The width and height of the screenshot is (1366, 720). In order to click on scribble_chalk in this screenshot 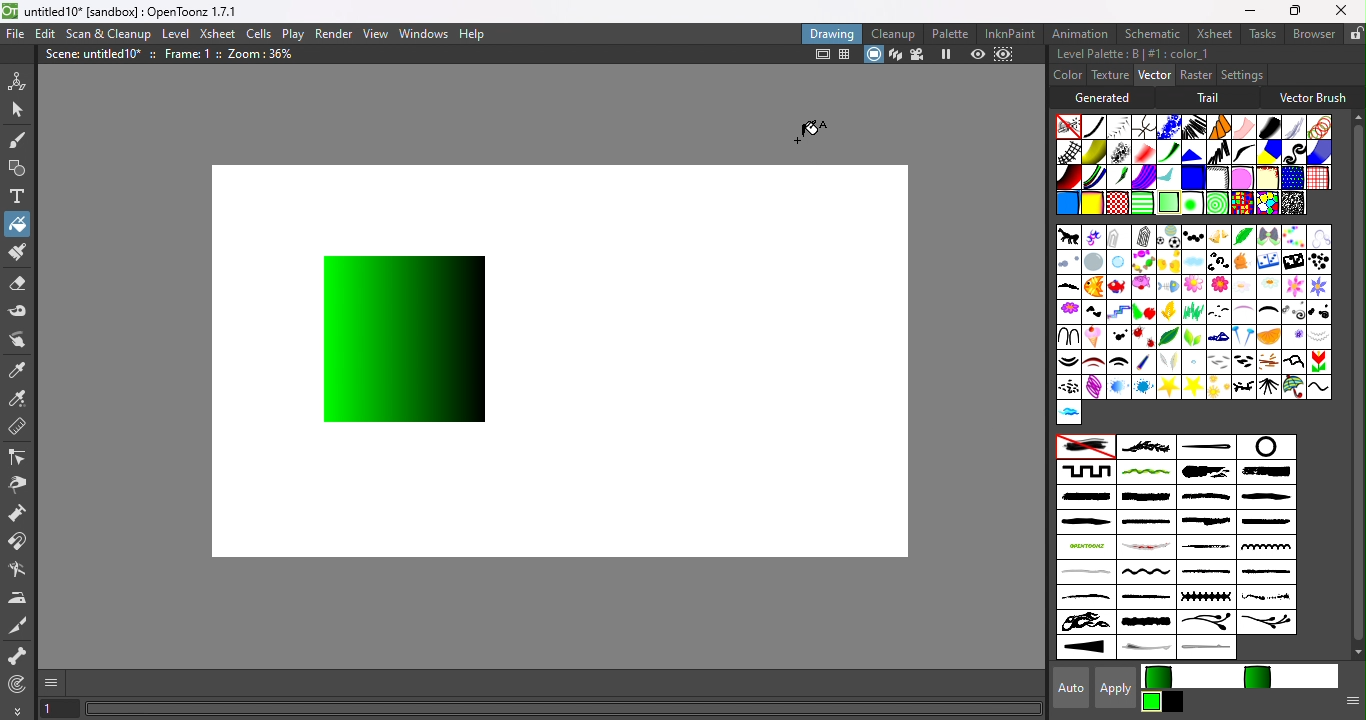, I will do `click(1207, 548)`.